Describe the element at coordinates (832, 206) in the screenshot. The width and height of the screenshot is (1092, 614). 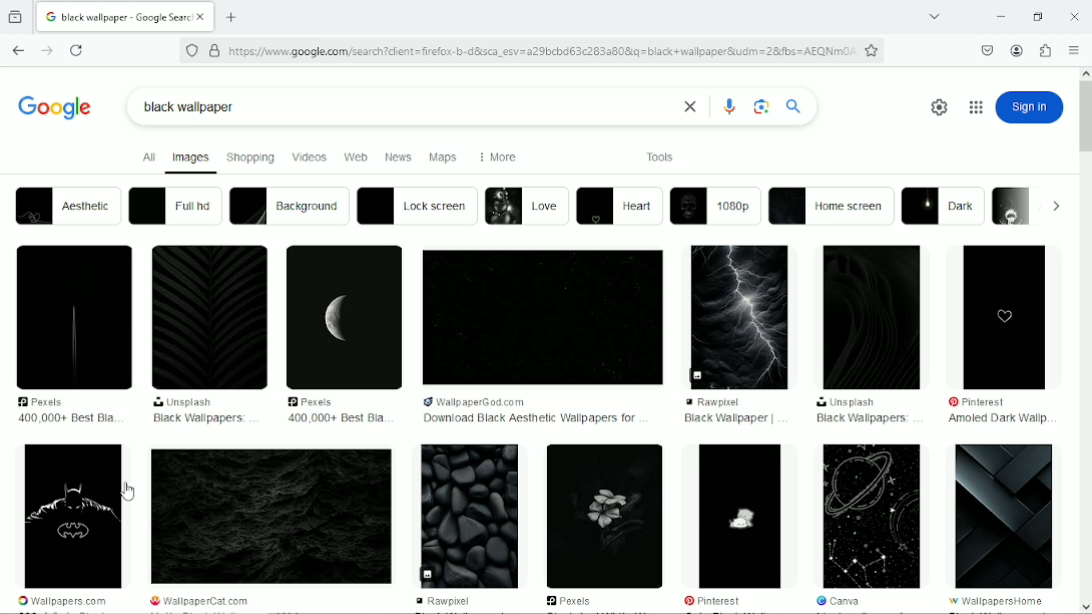
I see `home screen` at that location.